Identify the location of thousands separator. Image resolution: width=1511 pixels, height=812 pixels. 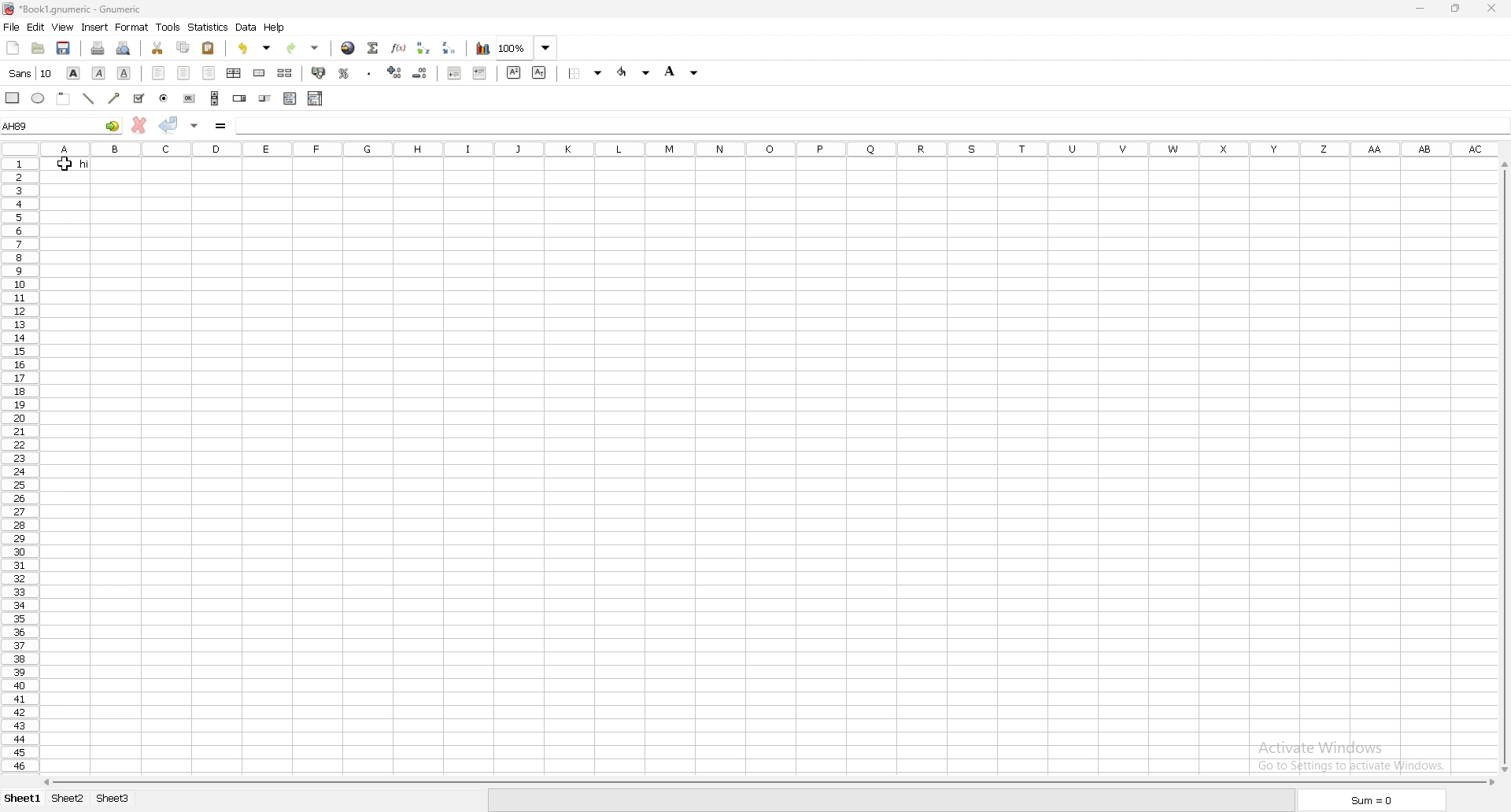
(371, 72).